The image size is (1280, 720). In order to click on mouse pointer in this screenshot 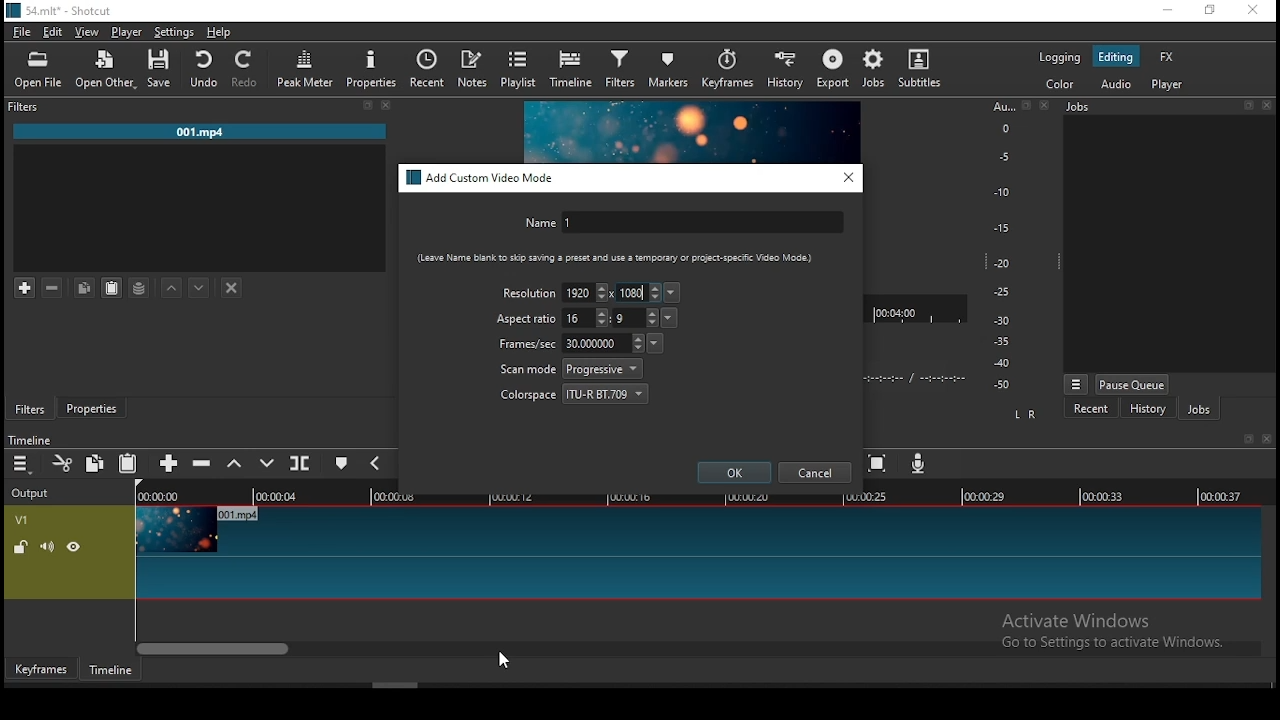, I will do `click(500, 660)`.